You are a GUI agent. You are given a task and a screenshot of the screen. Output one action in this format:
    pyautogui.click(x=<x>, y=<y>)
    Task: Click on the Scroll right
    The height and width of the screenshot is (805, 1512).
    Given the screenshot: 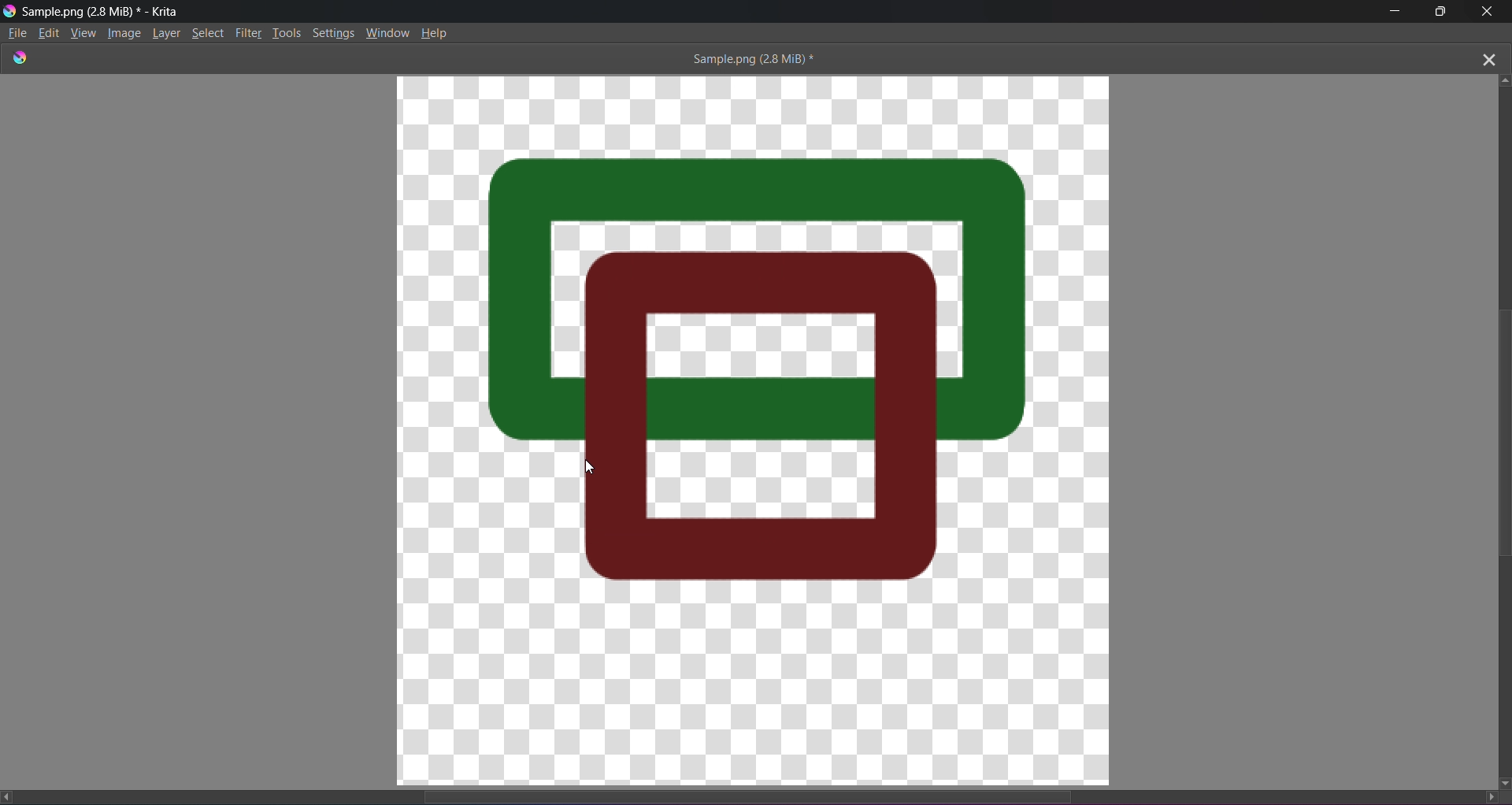 What is the action you would take?
    pyautogui.click(x=1485, y=796)
    